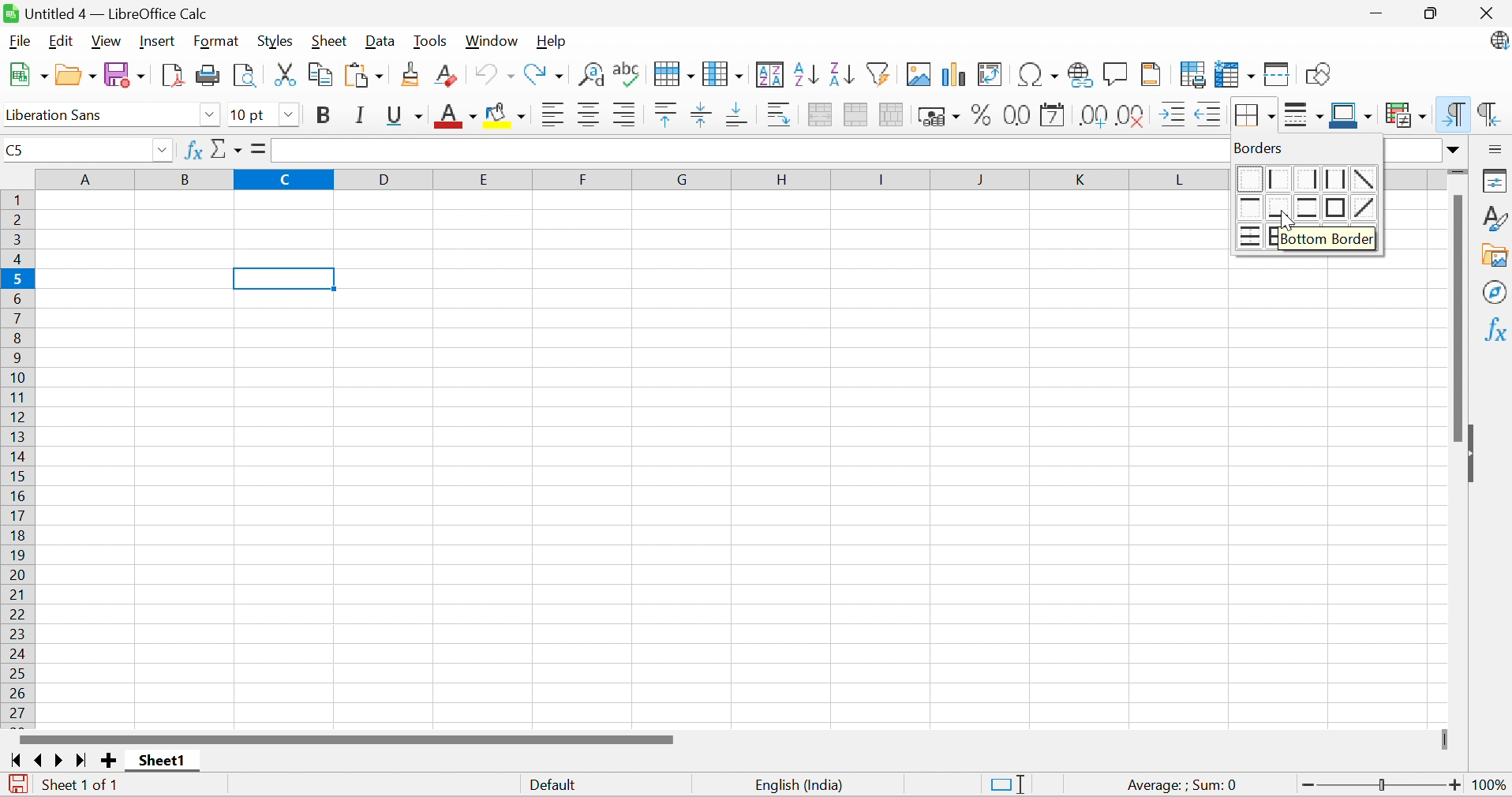 Image resolution: width=1512 pixels, height=797 pixels. I want to click on Align bottom, so click(740, 114).